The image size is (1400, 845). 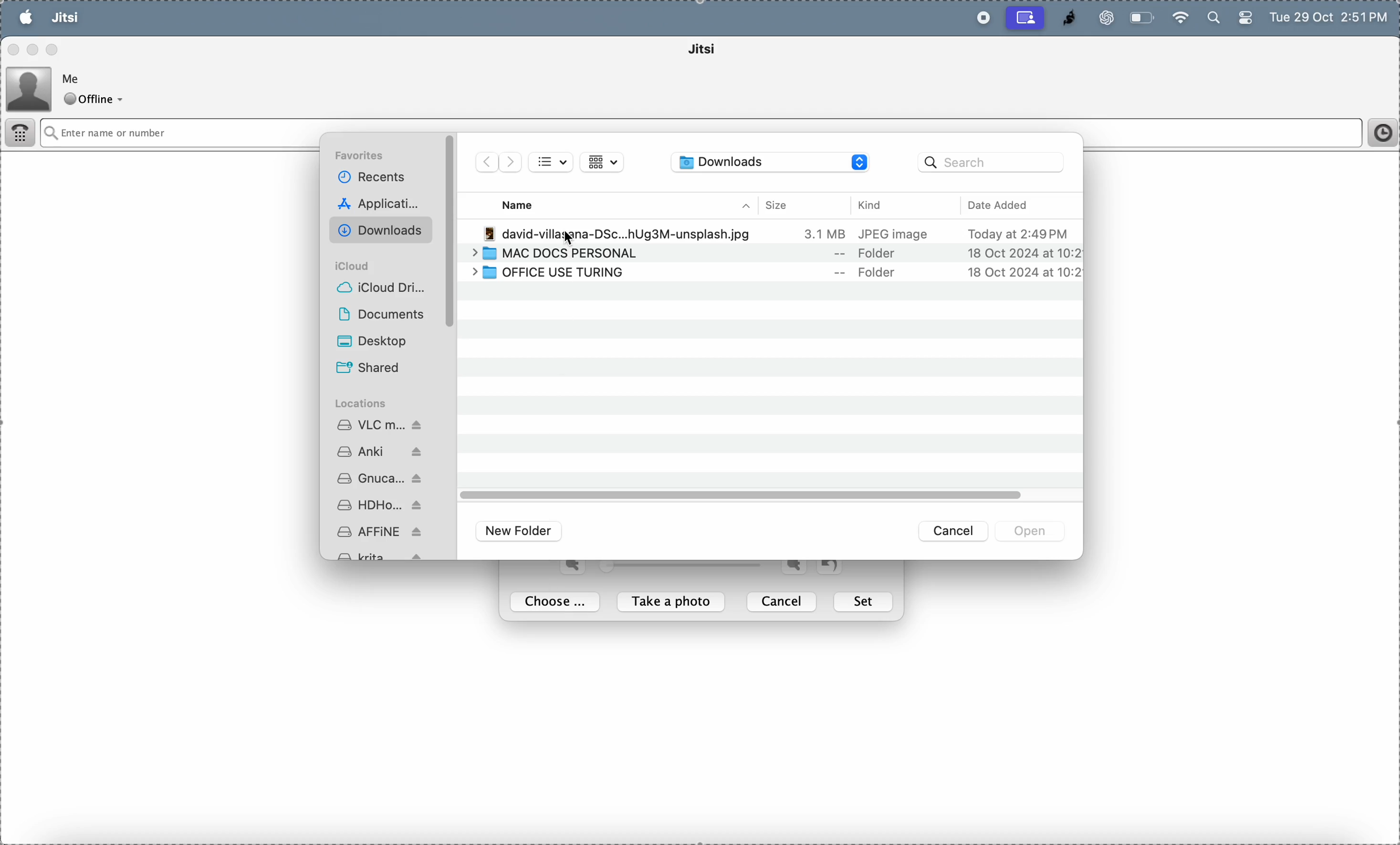 What do you see at coordinates (1331, 19) in the screenshot?
I see `Tue 29 Oct 2:51 PM` at bounding box center [1331, 19].